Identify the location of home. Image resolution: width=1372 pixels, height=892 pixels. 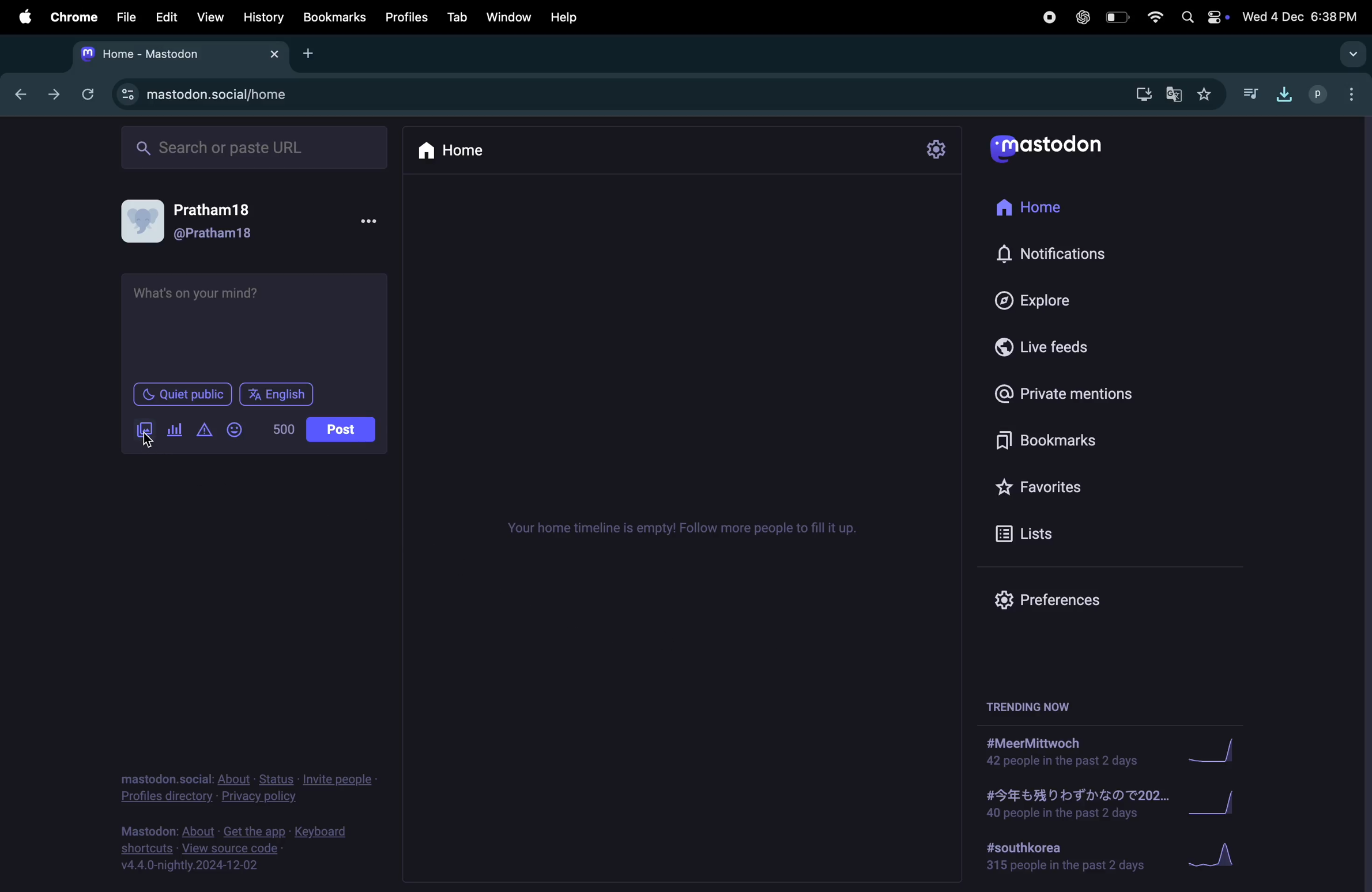
(462, 152).